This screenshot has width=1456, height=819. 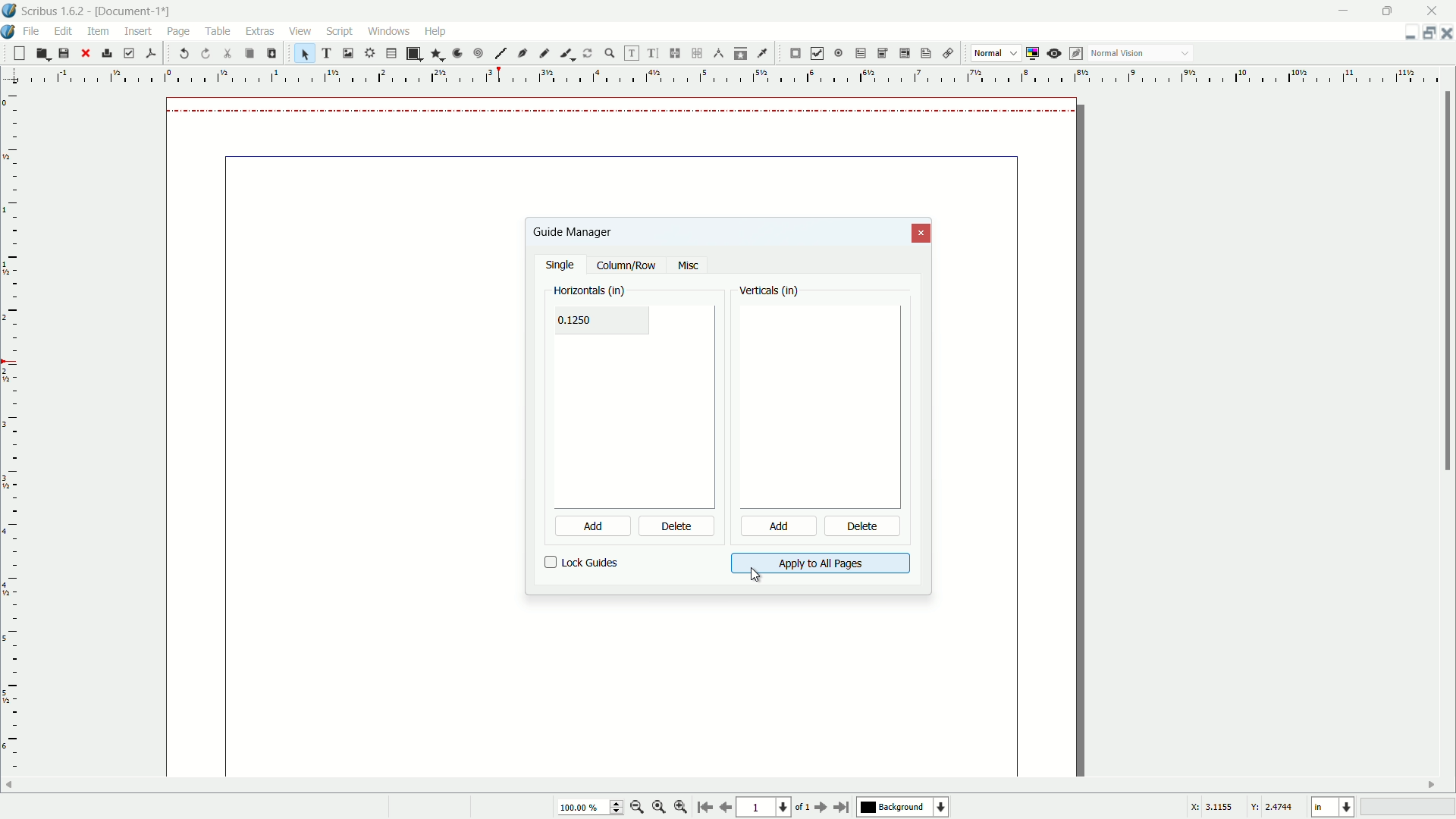 I want to click on bezier curve, so click(x=523, y=55).